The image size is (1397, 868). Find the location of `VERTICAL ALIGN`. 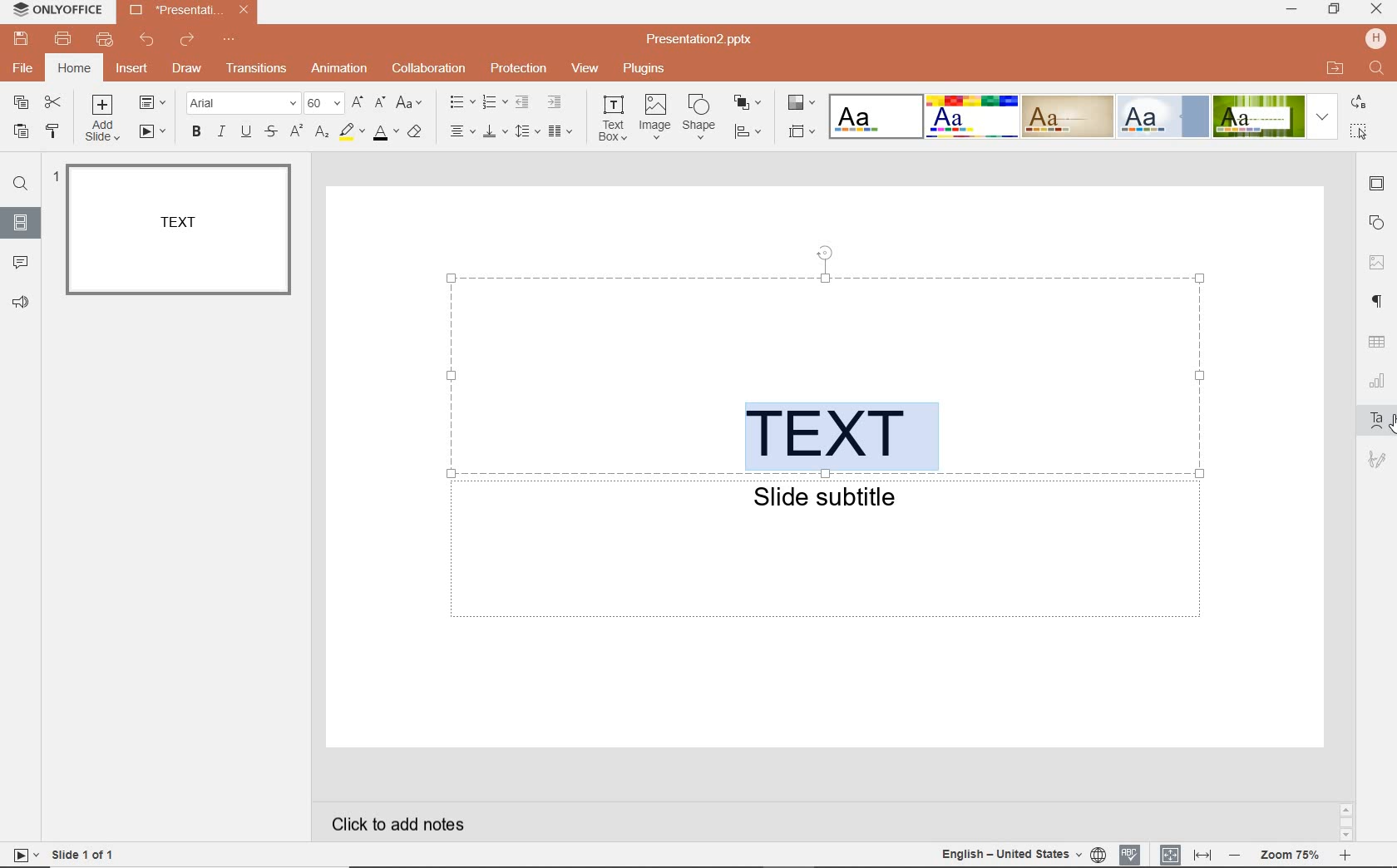

VERTICAL ALIGN is located at coordinates (495, 133).